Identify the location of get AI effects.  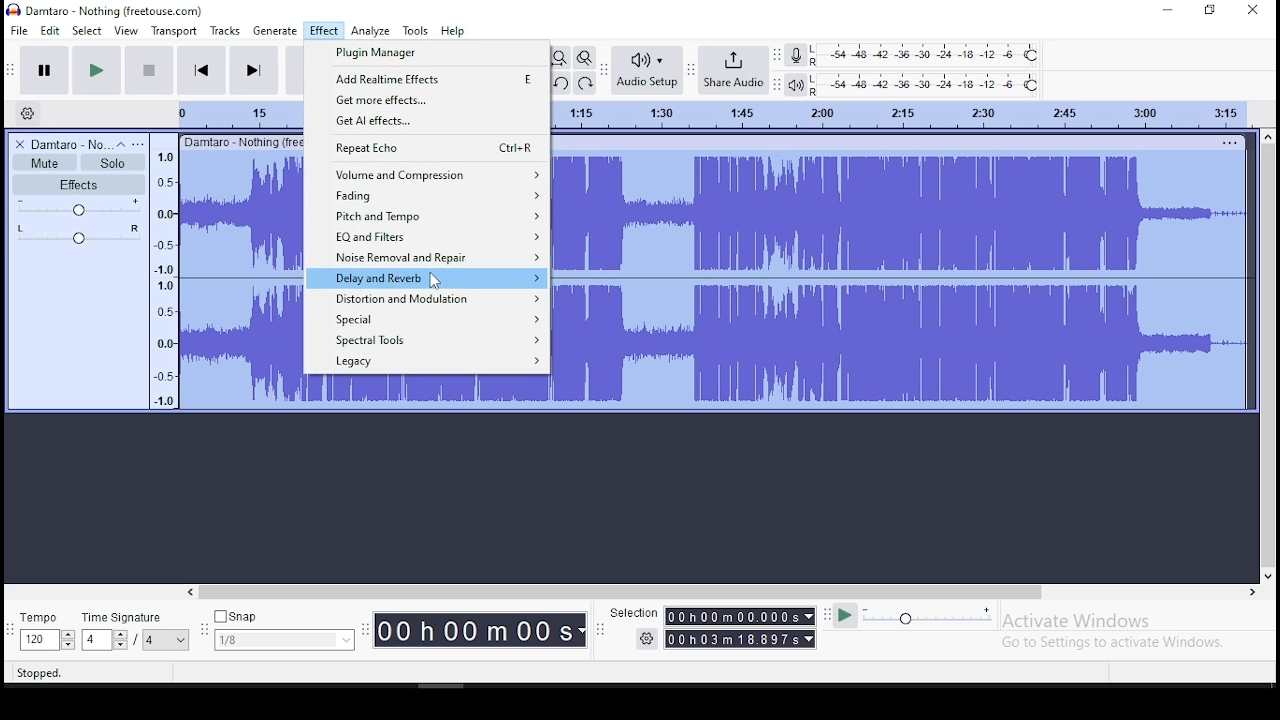
(425, 121).